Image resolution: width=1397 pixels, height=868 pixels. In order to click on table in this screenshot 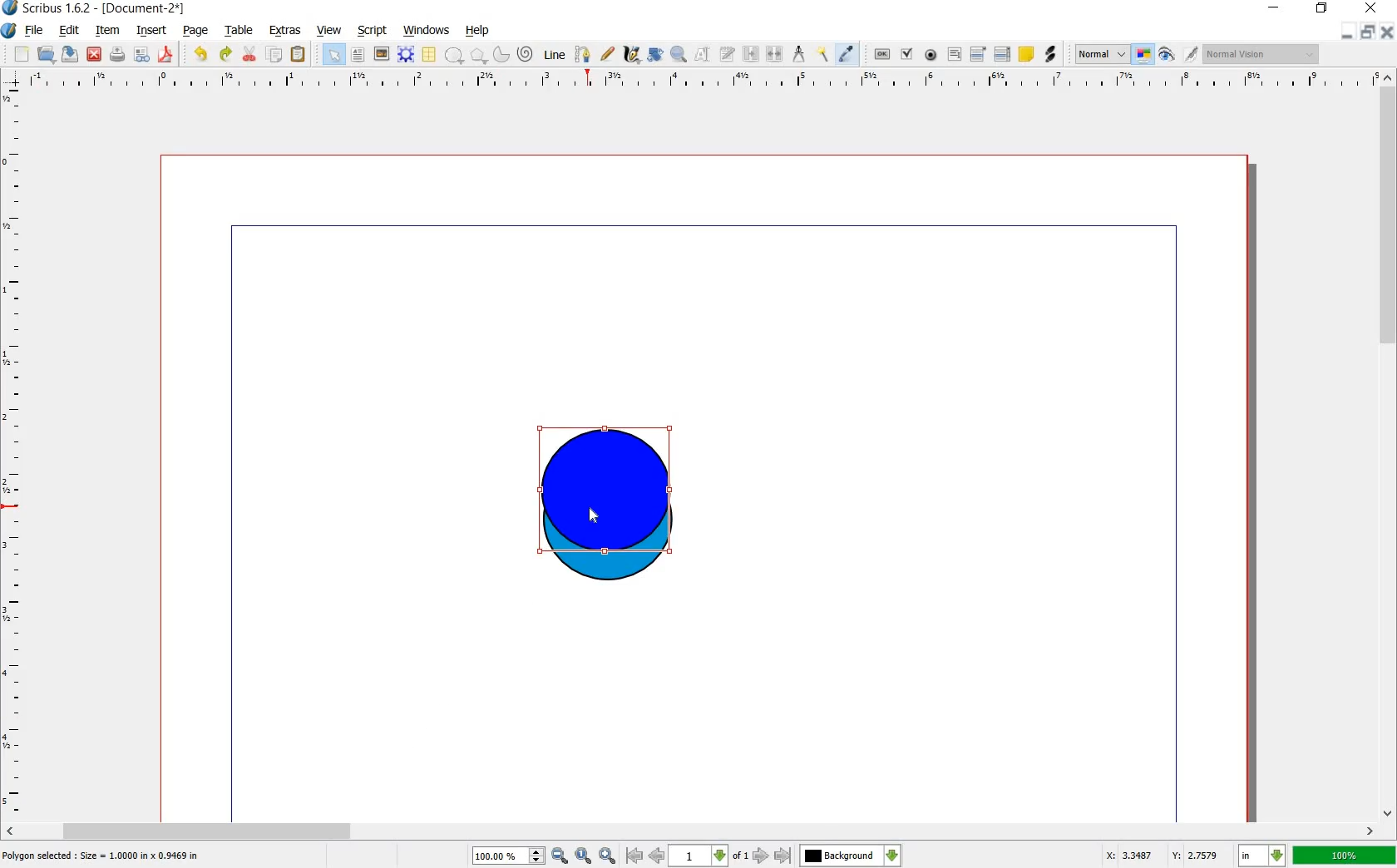, I will do `click(428, 55)`.